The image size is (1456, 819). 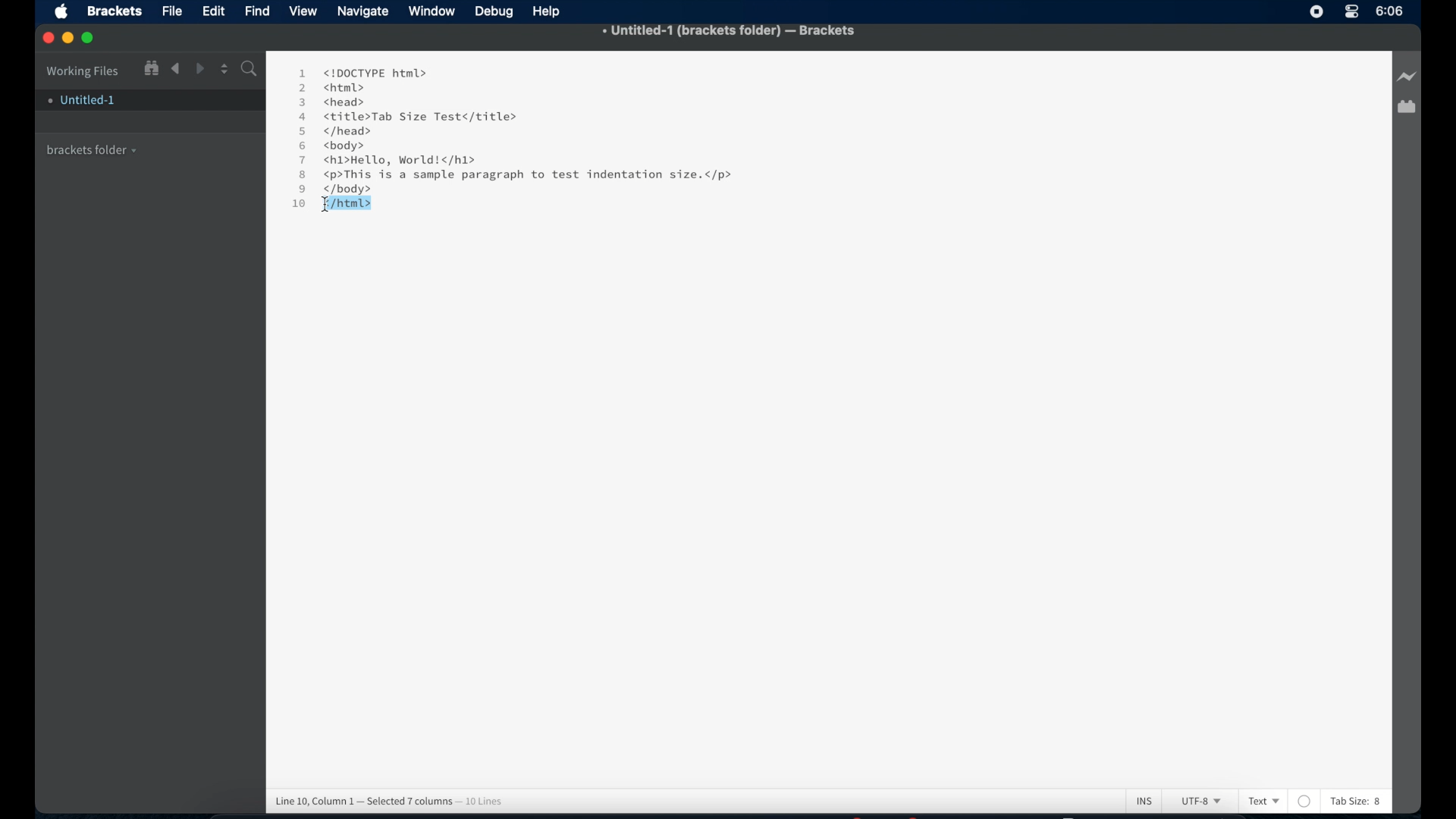 What do you see at coordinates (93, 38) in the screenshot?
I see `Maximize` at bounding box center [93, 38].